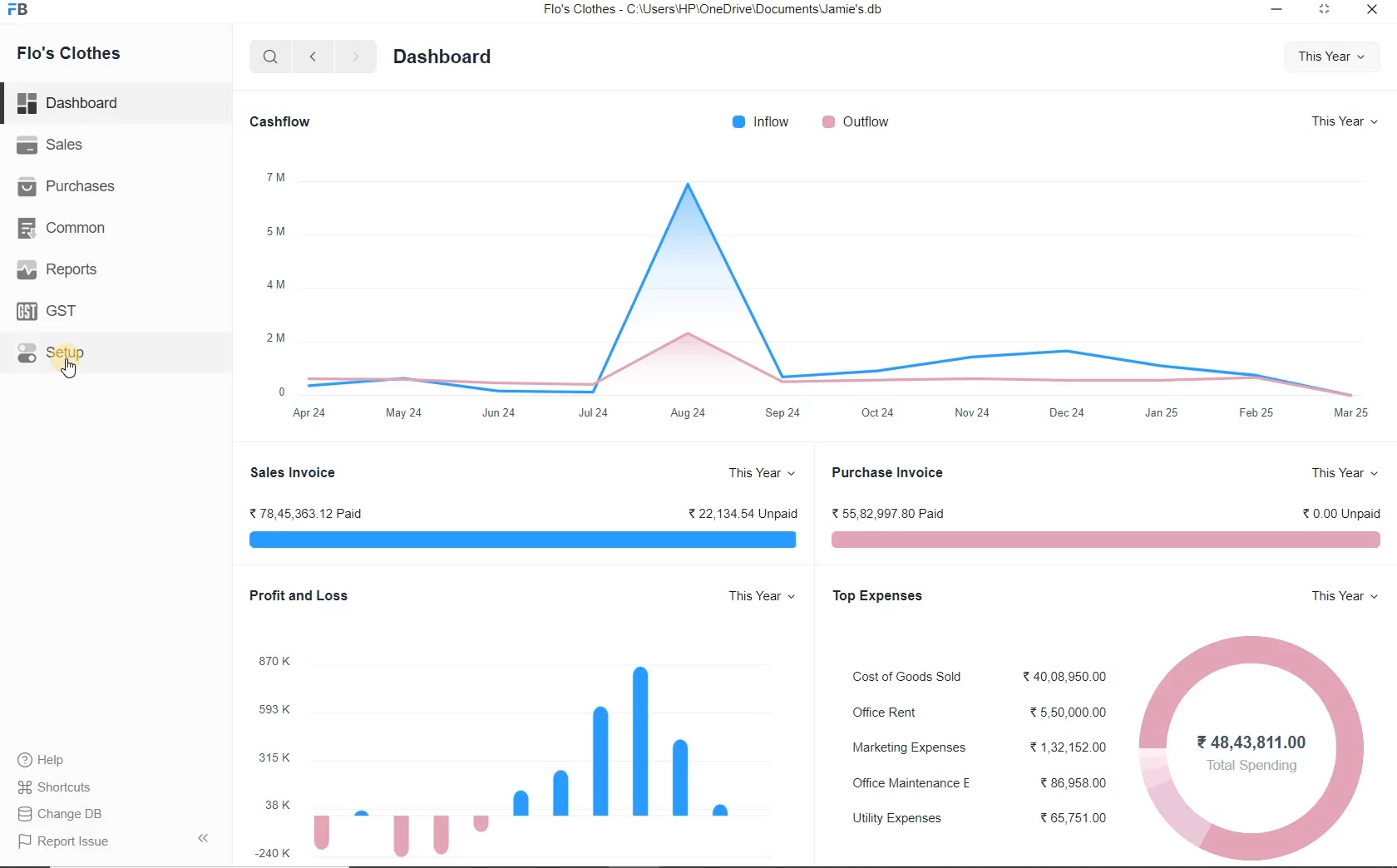  I want to click on This Year v, so click(762, 594).